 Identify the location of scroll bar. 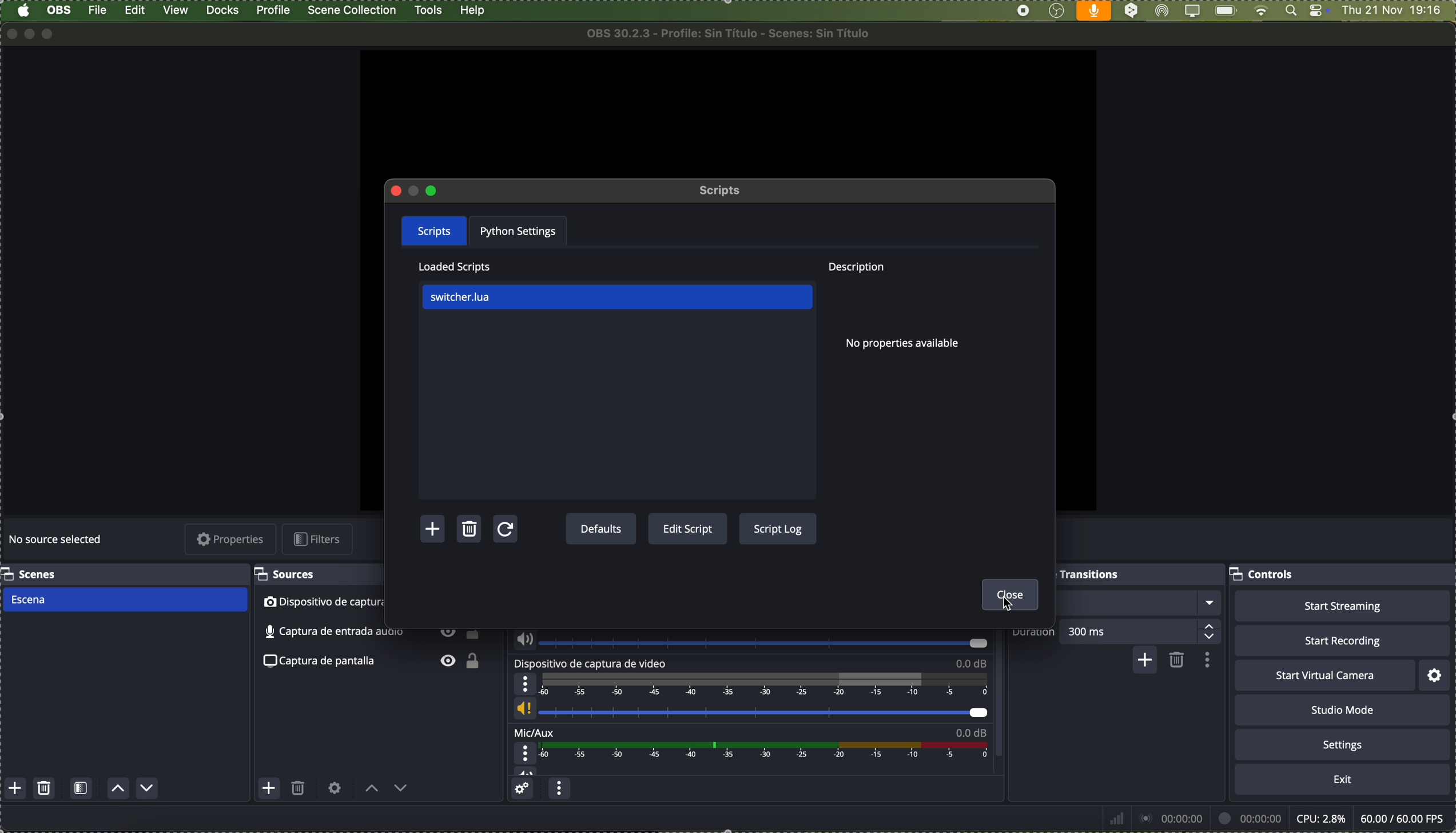
(1004, 697).